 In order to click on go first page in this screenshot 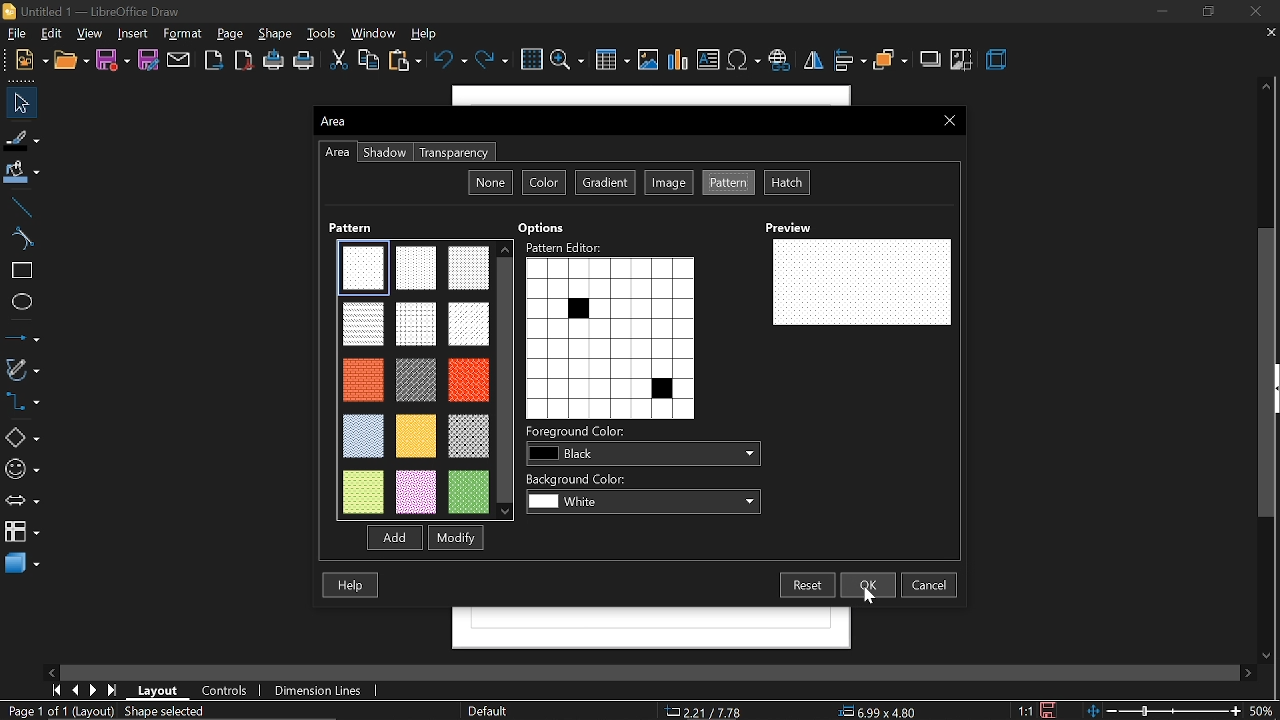, I will do `click(54, 690)`.